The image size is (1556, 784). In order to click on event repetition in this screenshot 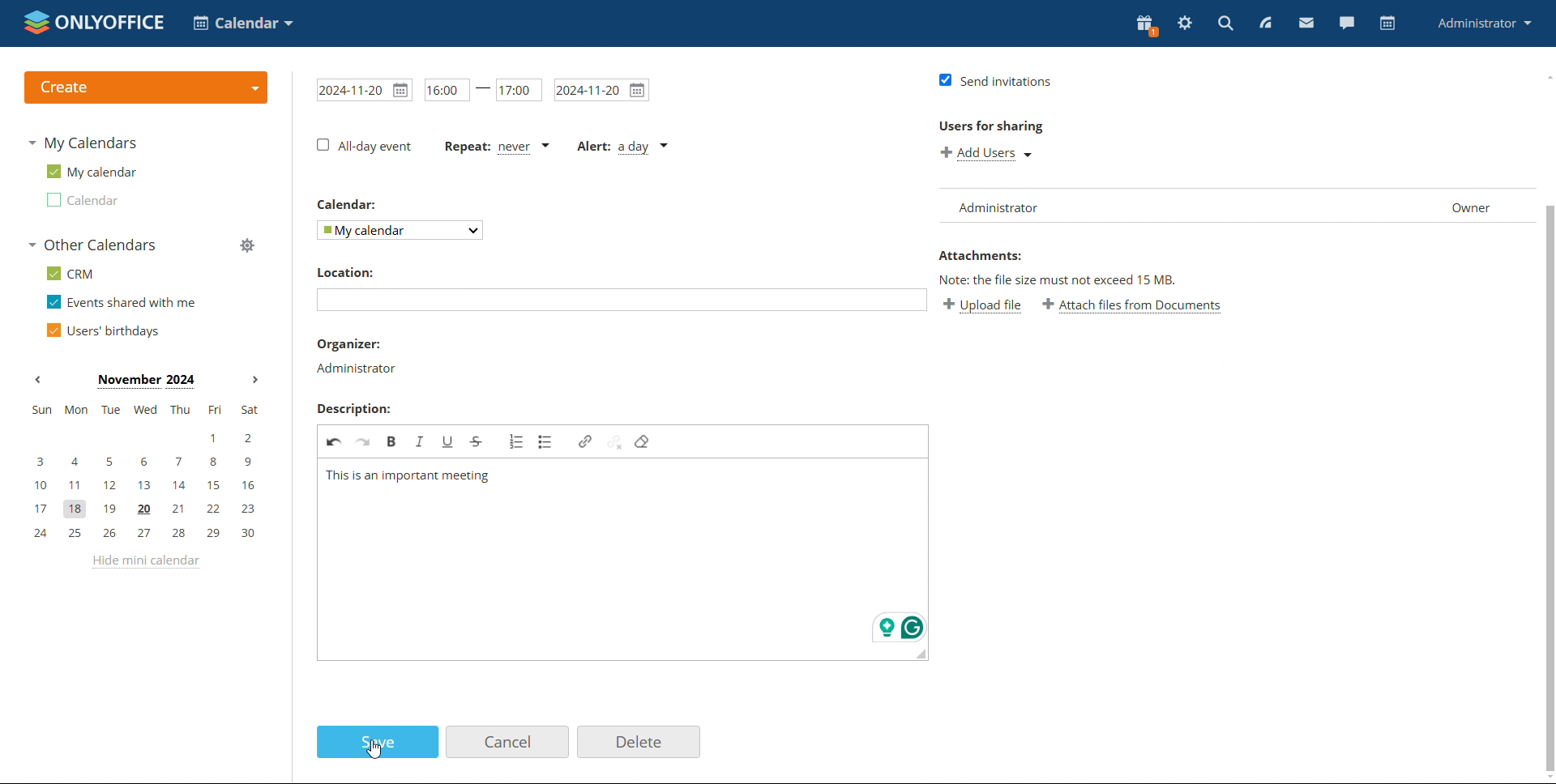, I will do `click(497, 146)`.